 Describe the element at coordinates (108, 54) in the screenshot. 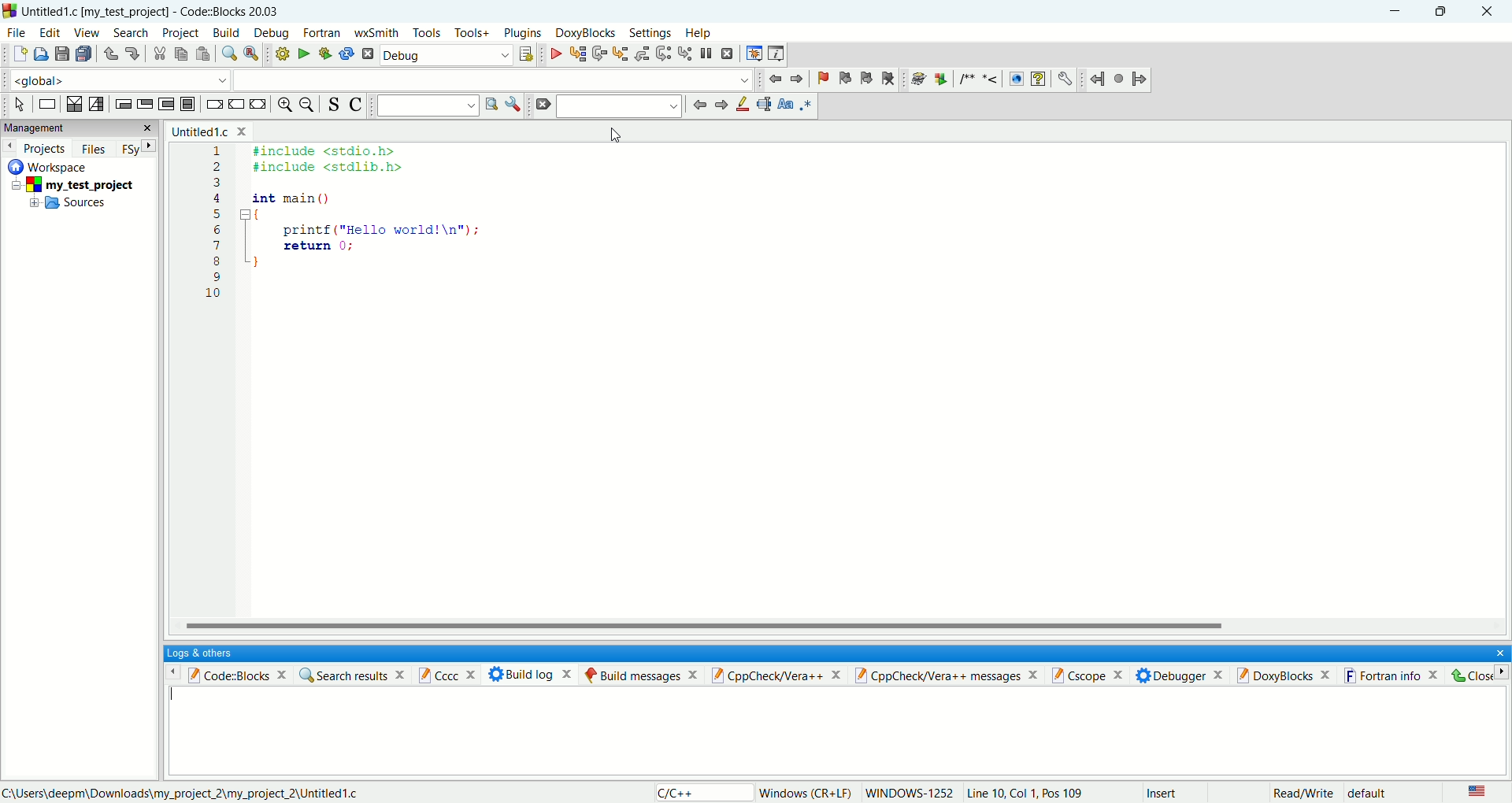

I see `undo` at that location.